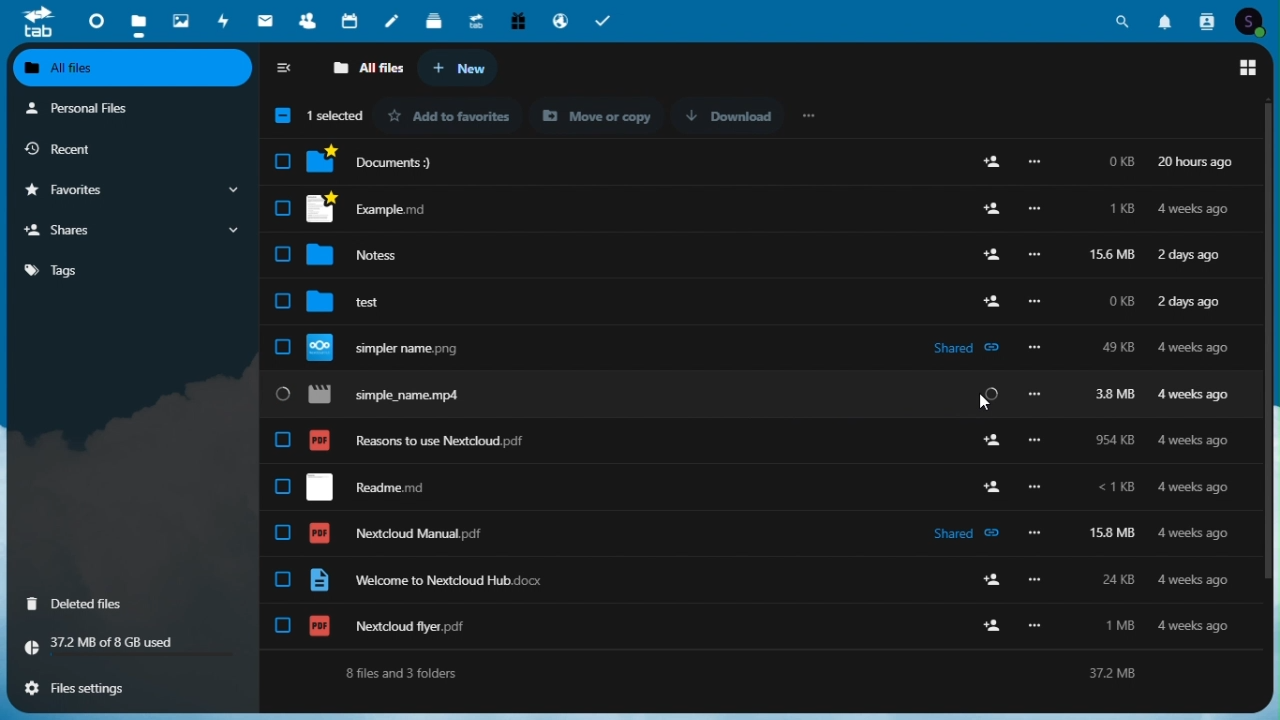  Describe the element at coordinates (983, 404) in the screenshot. I see `cursor` at that location.